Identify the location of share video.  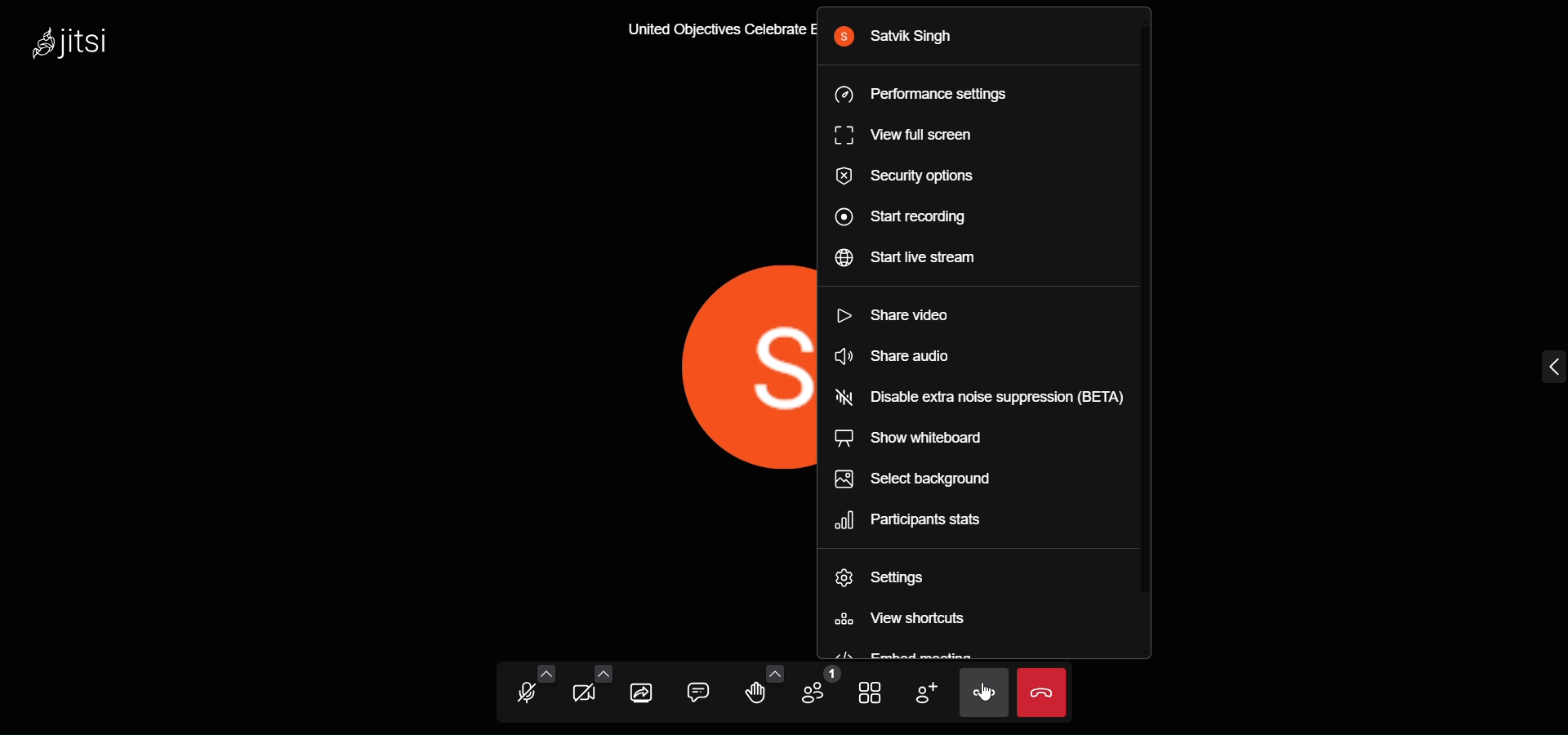
(911, 312).